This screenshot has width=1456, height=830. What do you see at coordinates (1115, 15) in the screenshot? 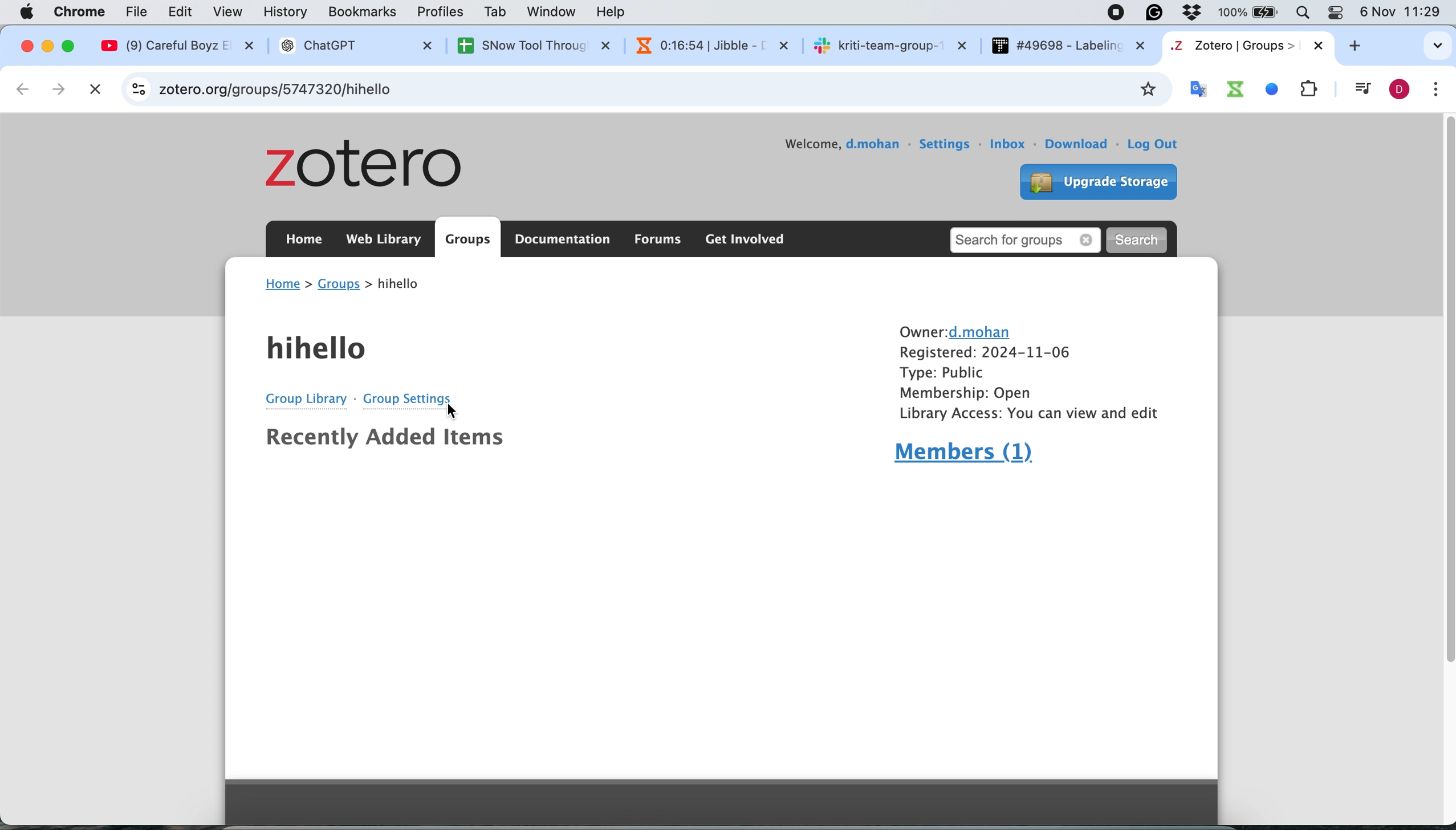
I see `Screen record` at bounding box center [1115, 15].